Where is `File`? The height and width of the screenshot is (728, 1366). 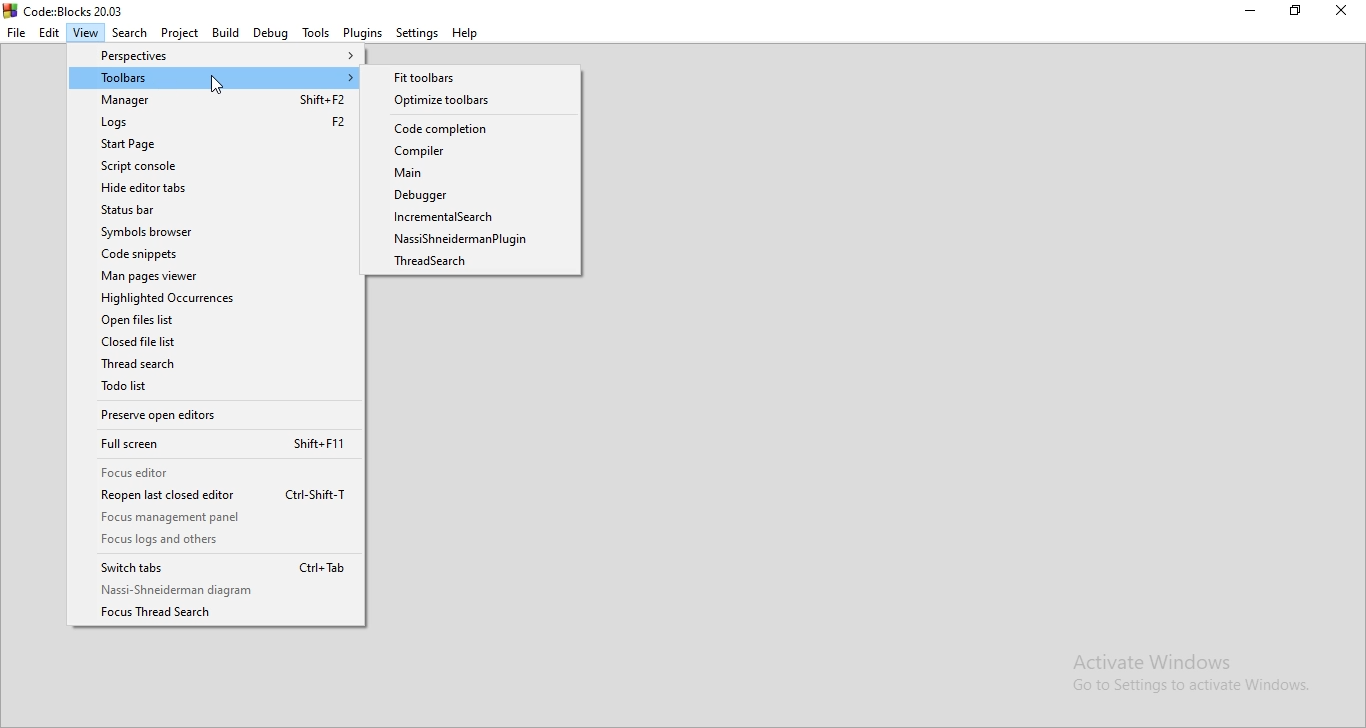 File is located at coordinates (16, 34).